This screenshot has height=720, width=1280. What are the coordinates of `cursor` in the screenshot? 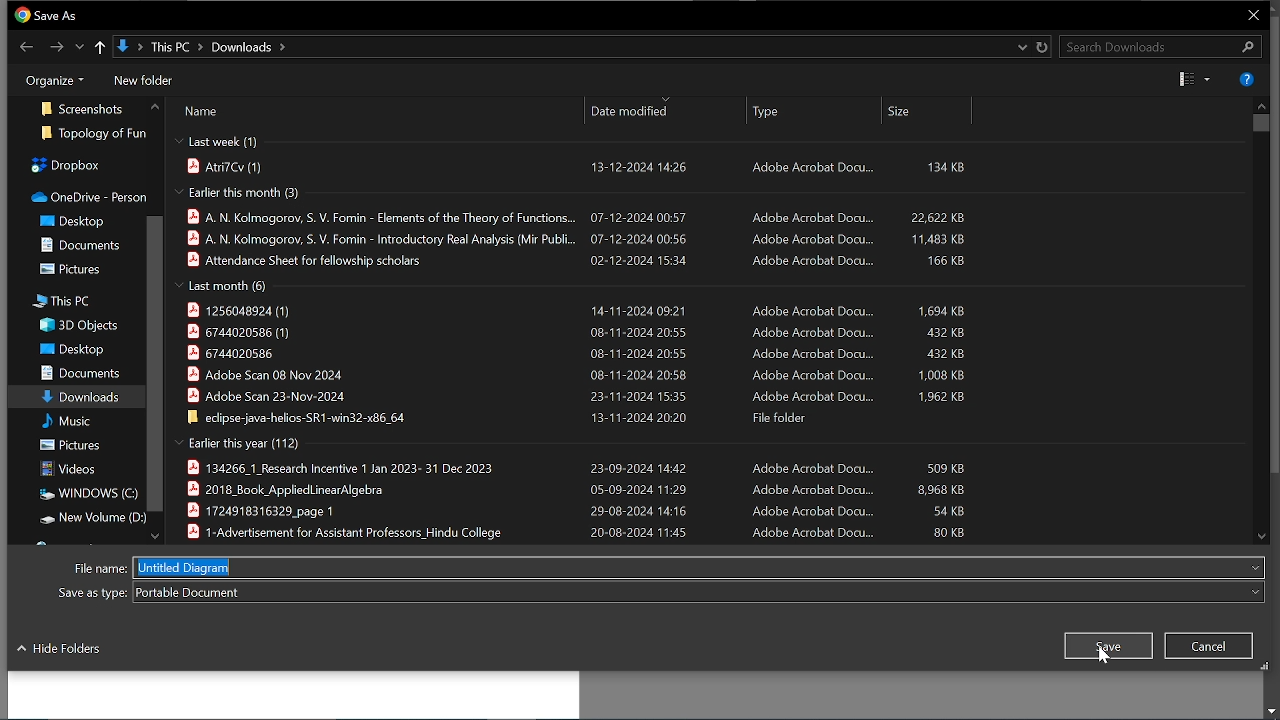 It's located at (1104, 660).